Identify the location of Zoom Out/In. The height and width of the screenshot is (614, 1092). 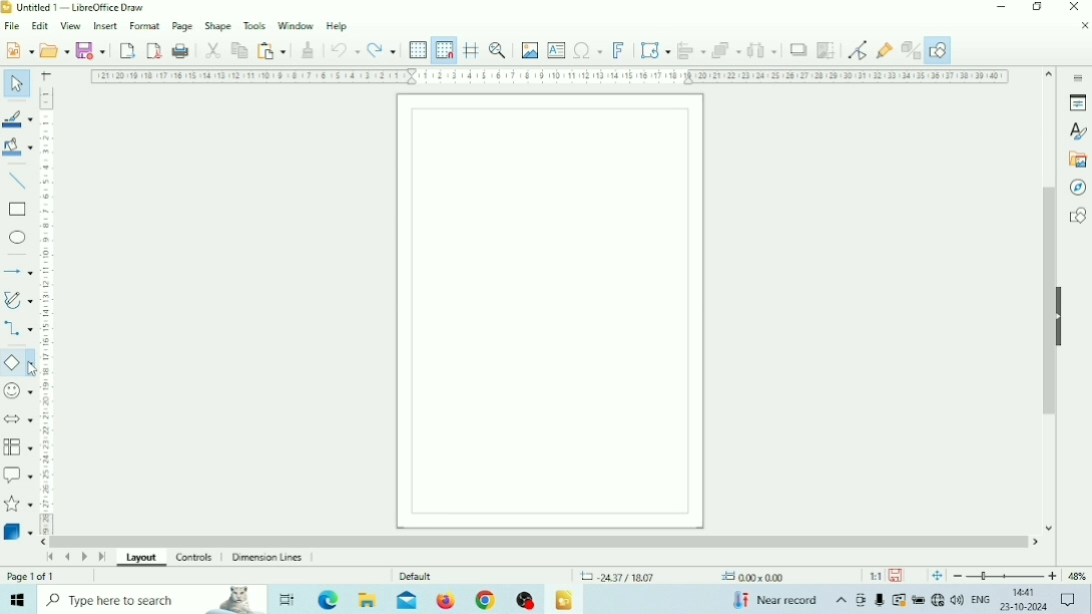
(1005, 576).